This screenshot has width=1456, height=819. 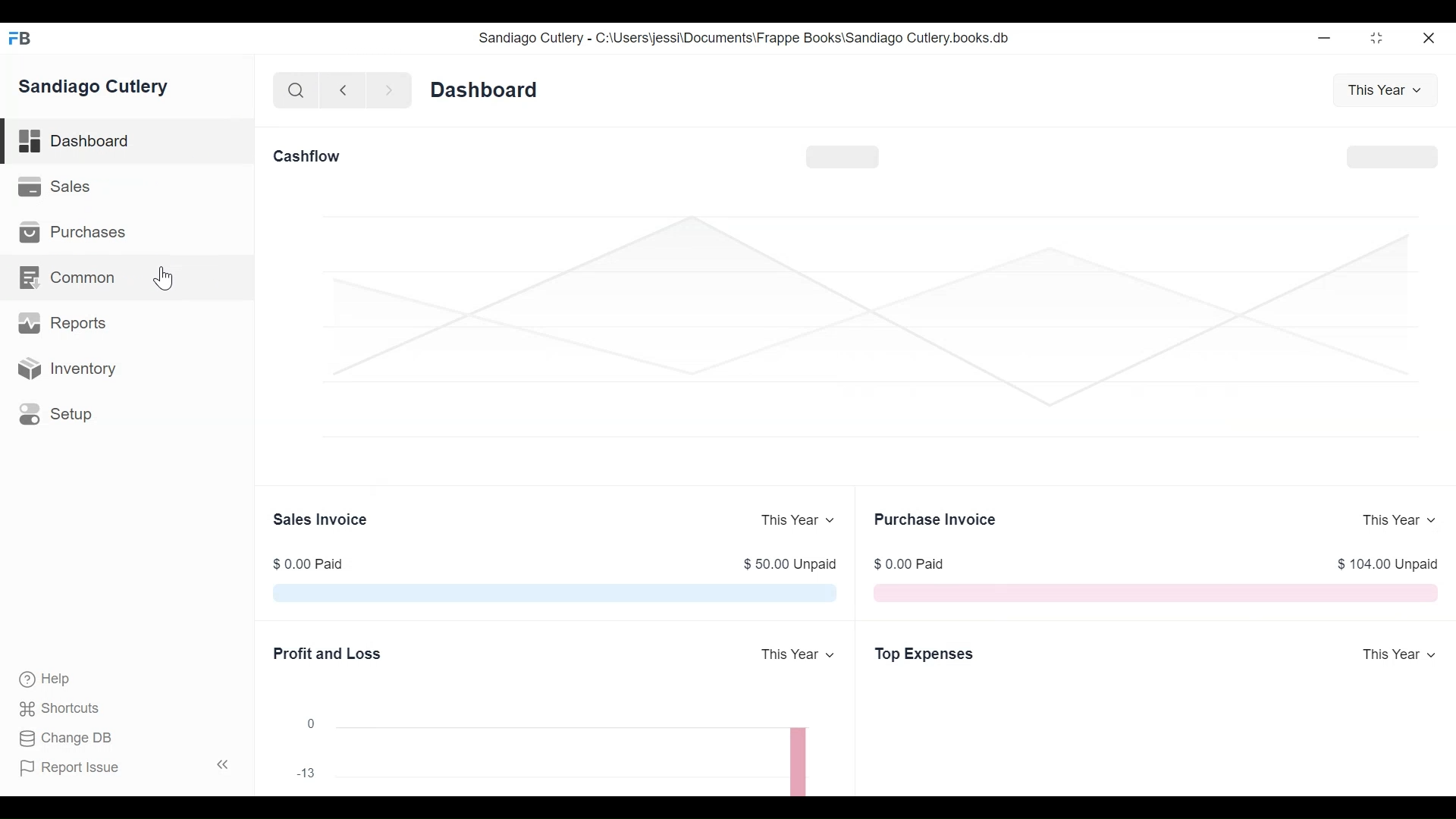 What do you see at coordinates (582, 755) in the screenshot?
I see `The chart shows the profit (or loss) per month for a year.` at bounding box center [582, 755].